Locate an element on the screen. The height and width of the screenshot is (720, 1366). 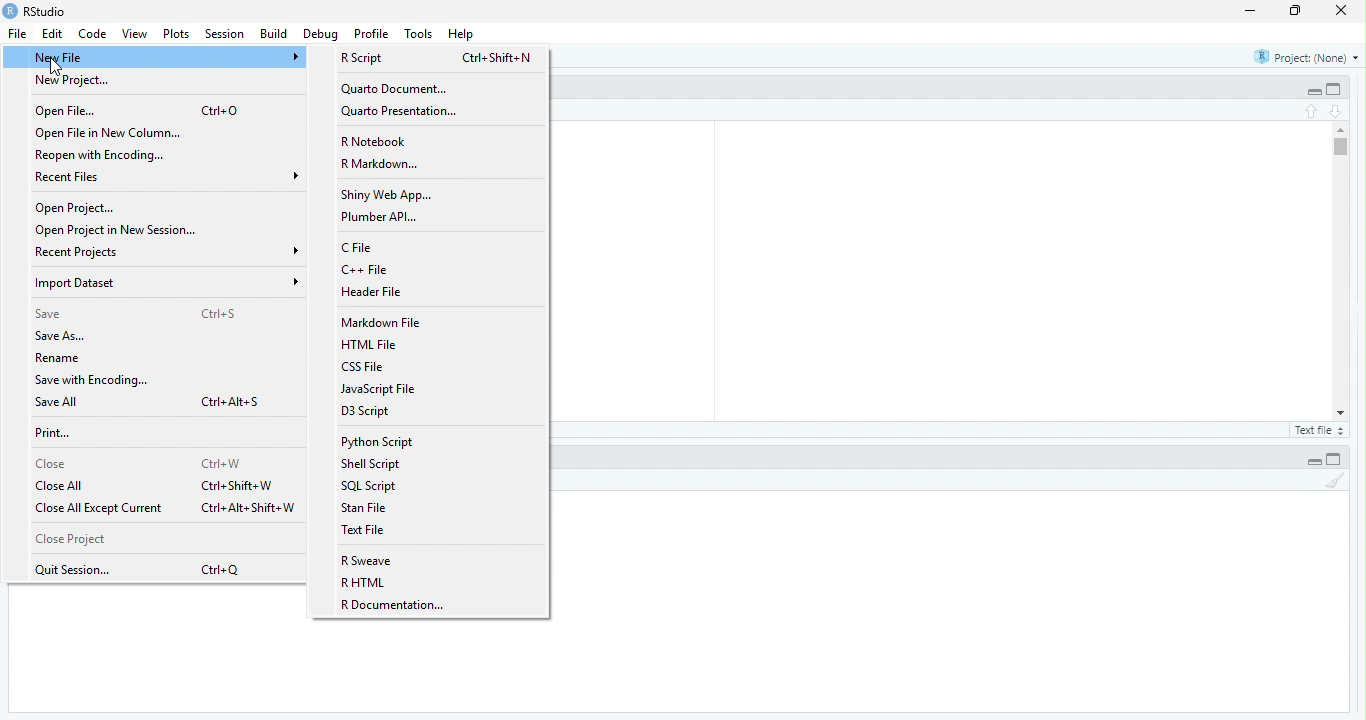
Nery File is located at coordinates (166, 58).